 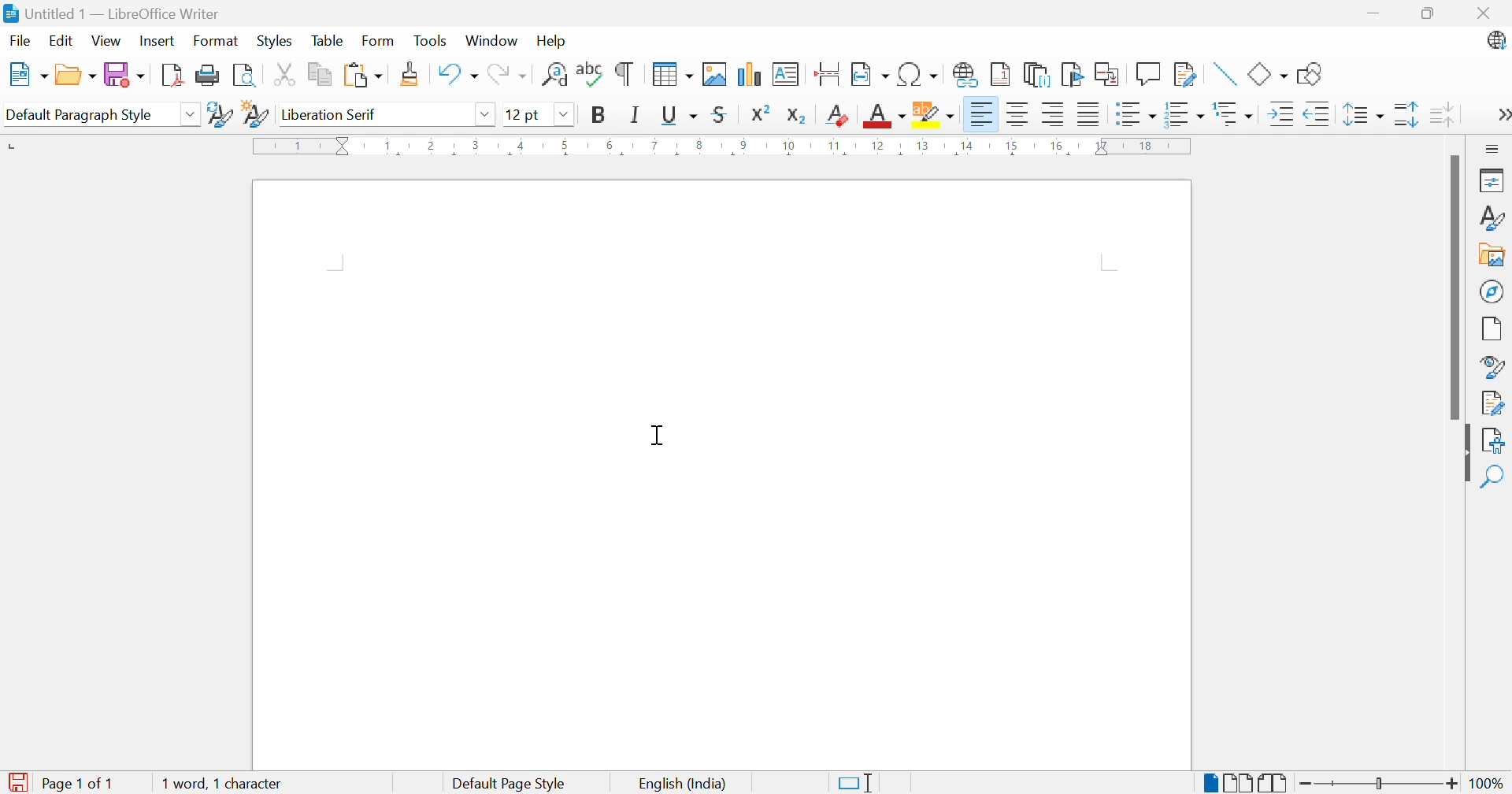 What do you see at coordinates (982, 115) in the screenshot?
I see `Align left` at bounding box center [982, 115].